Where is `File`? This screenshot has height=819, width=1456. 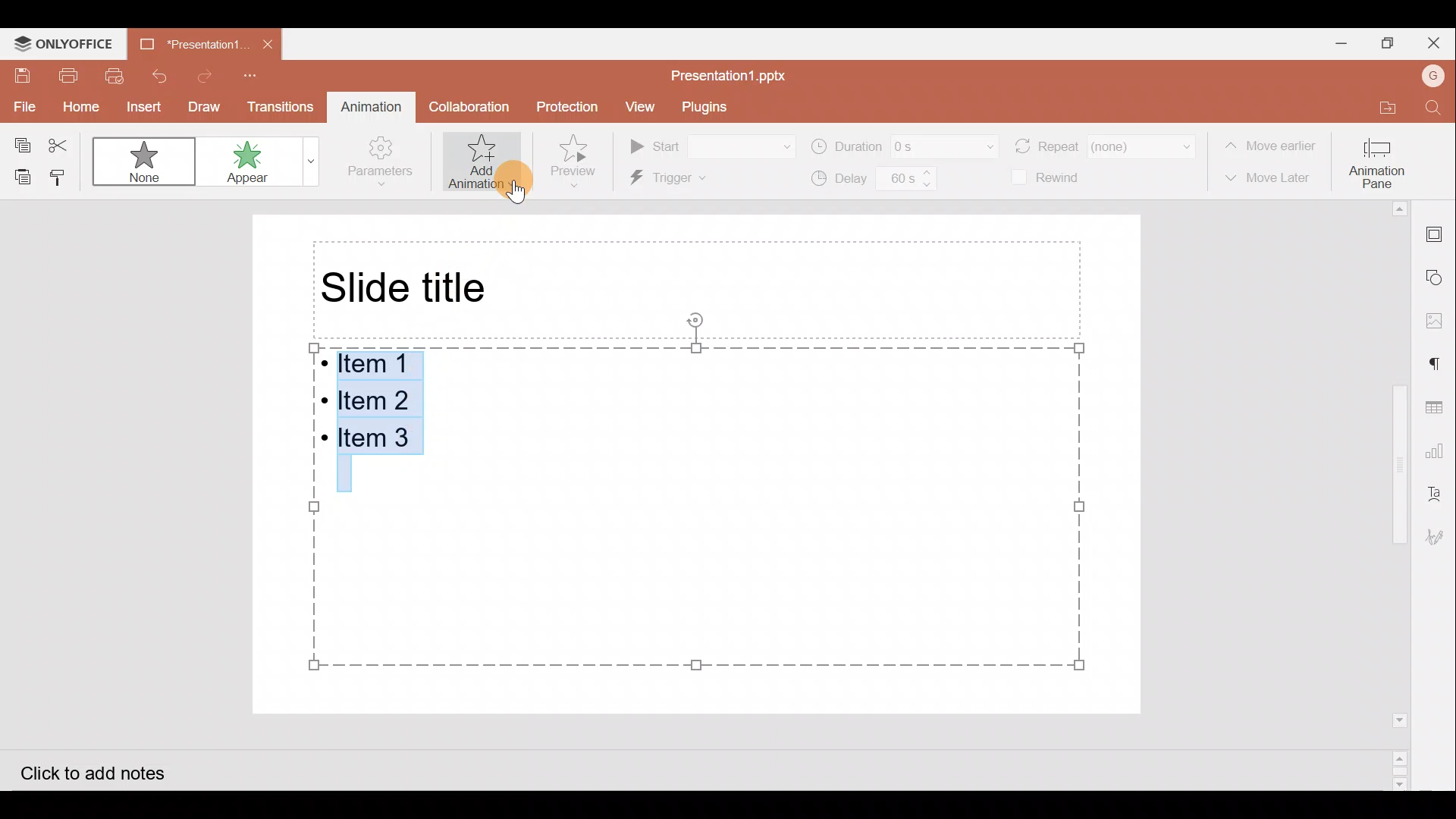
File is located at coordinates (19, 105).